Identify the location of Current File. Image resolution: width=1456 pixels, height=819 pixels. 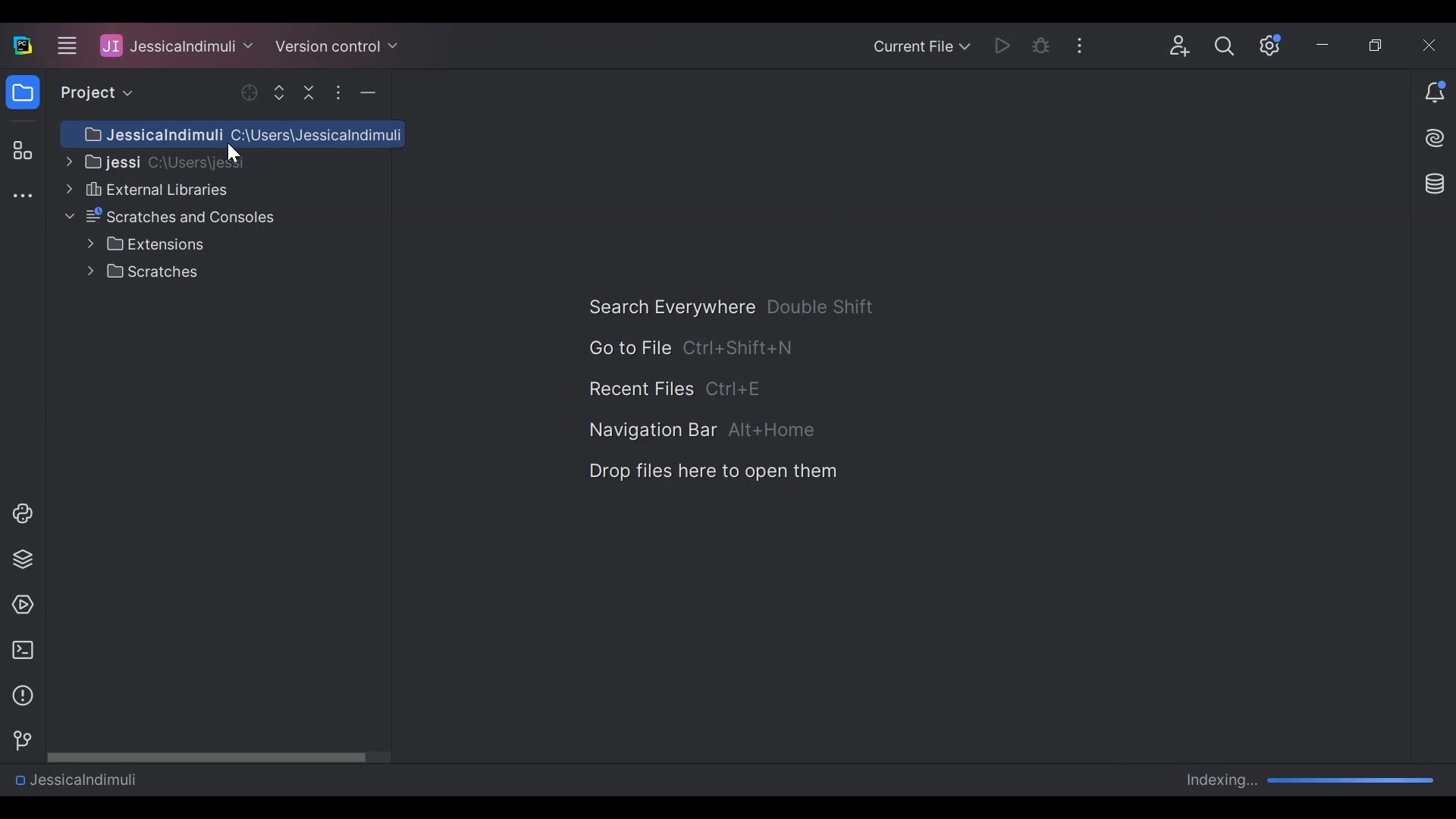
(921, 48).